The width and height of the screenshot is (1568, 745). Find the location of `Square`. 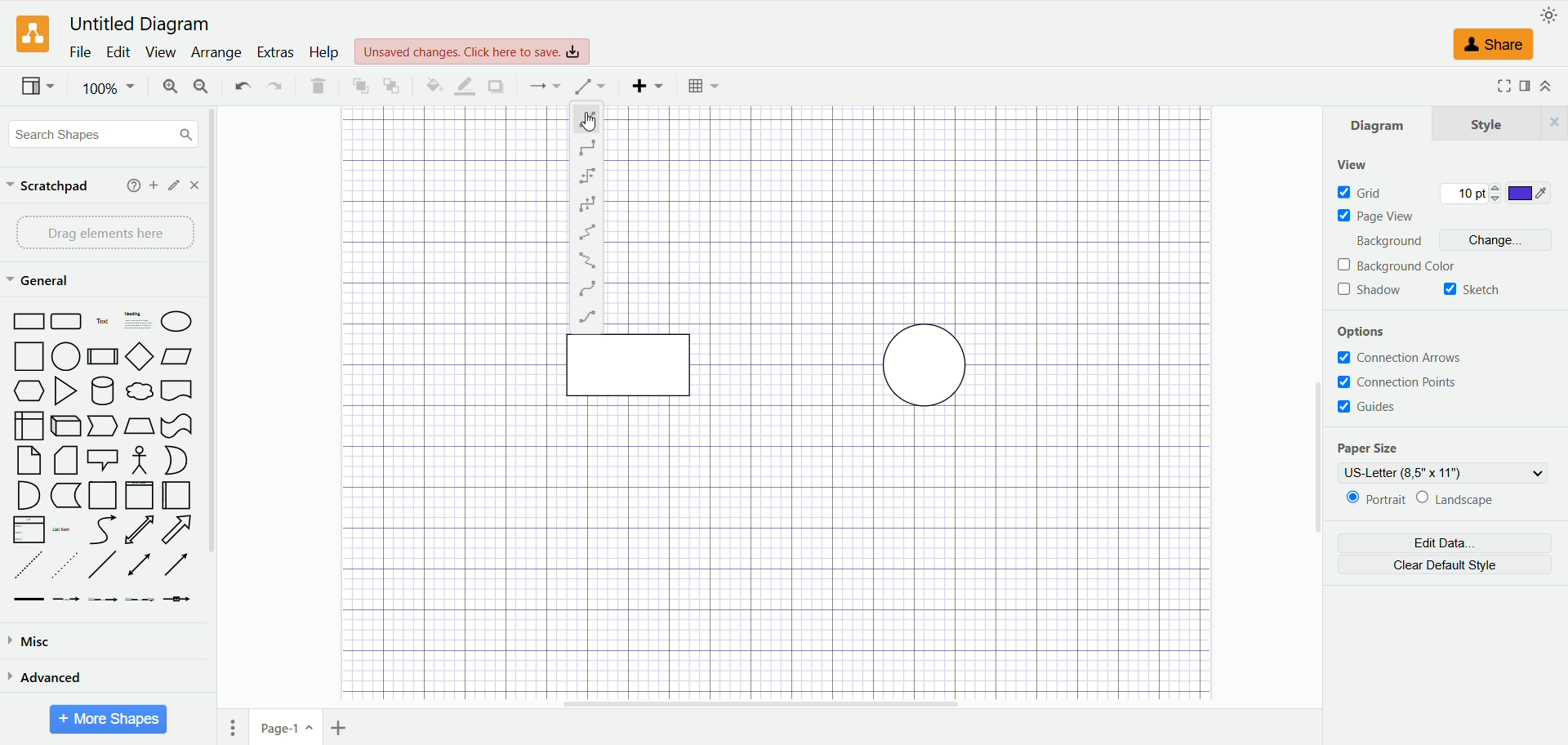

Square is located at coordinates (29, 358).